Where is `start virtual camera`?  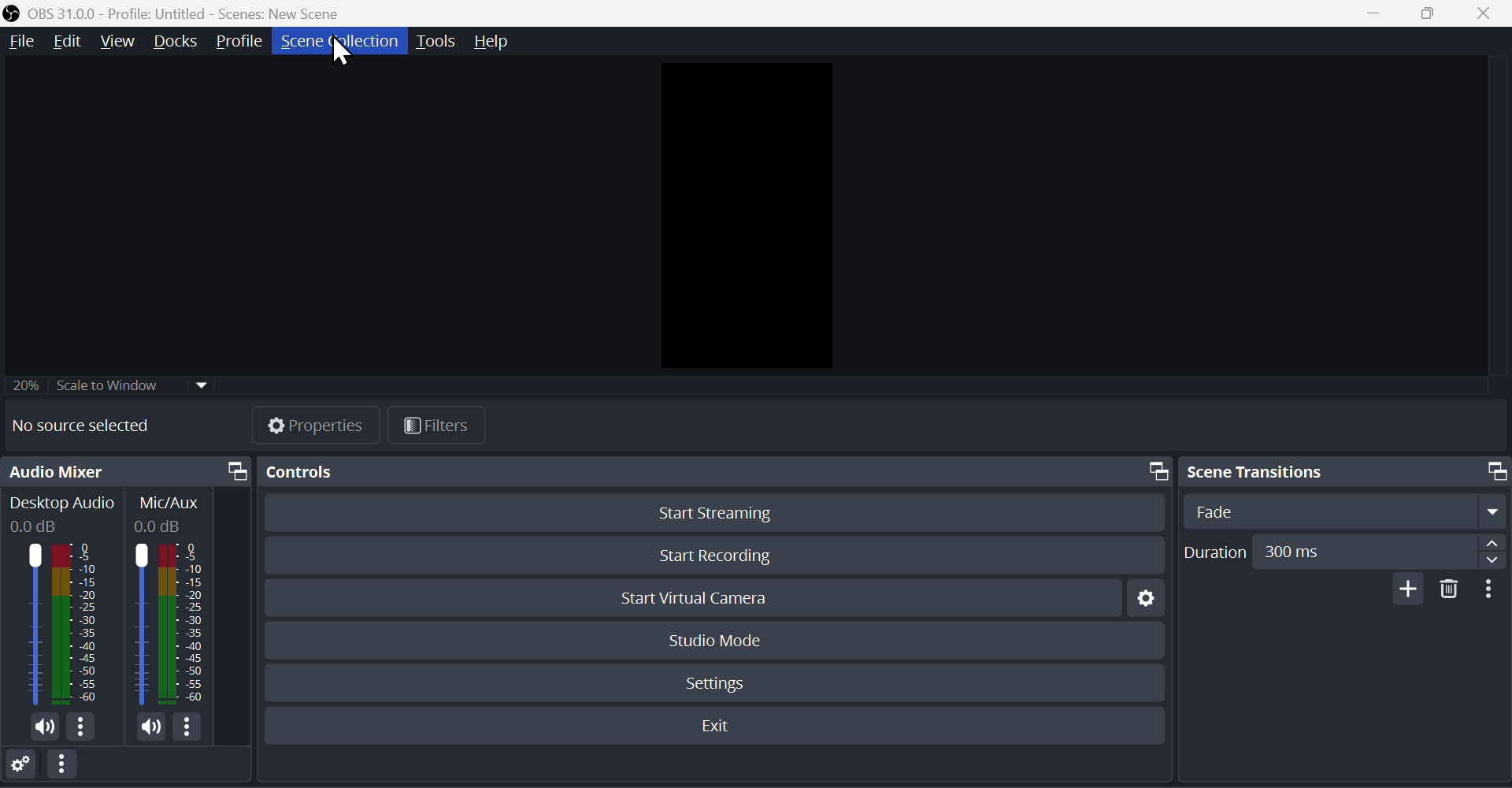 start virtual camera is located at coordinates (707, 600).